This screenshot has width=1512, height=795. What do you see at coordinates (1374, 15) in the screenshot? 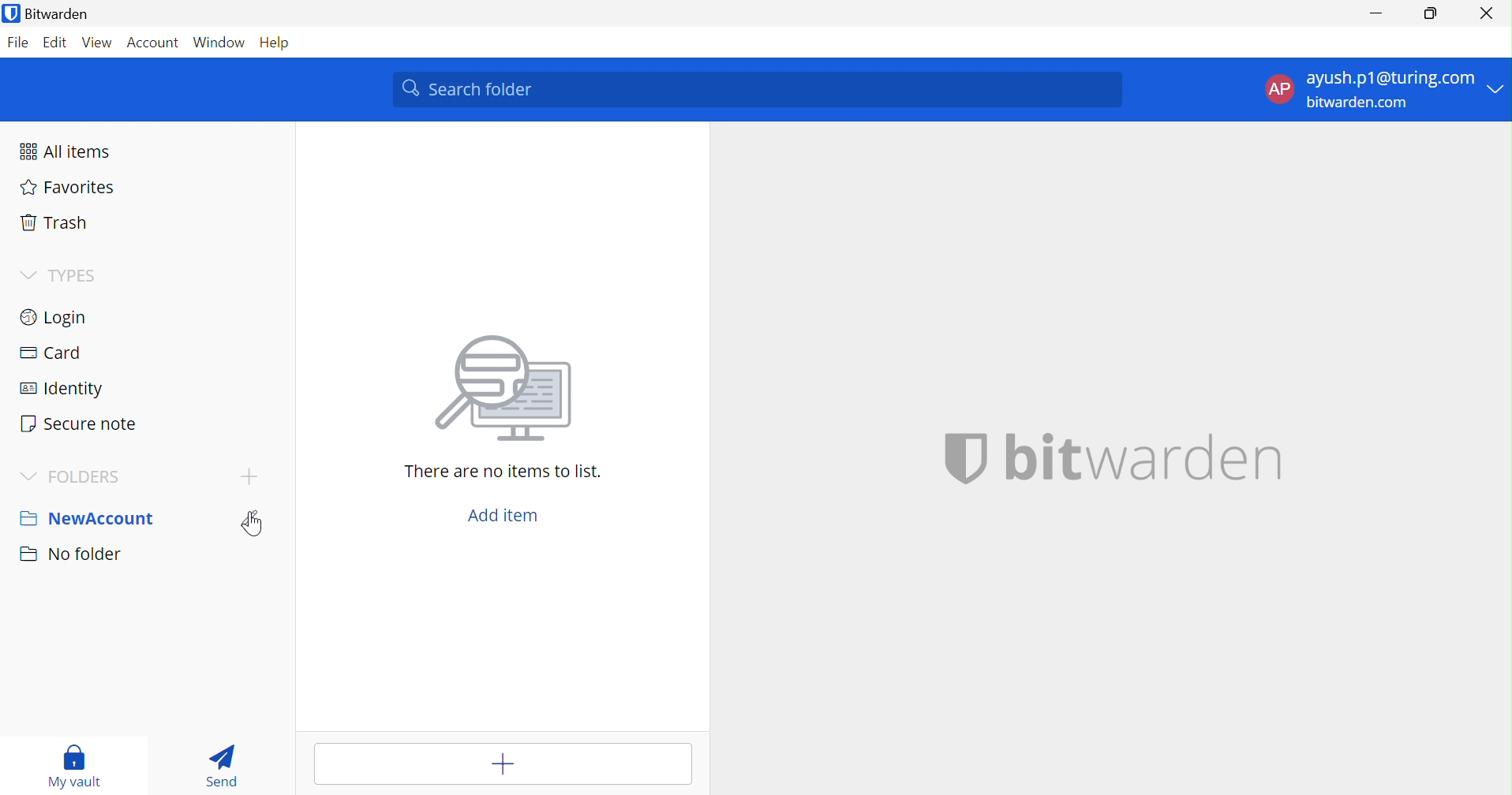
I see `Minimize` at bounding box center [1374, 15].